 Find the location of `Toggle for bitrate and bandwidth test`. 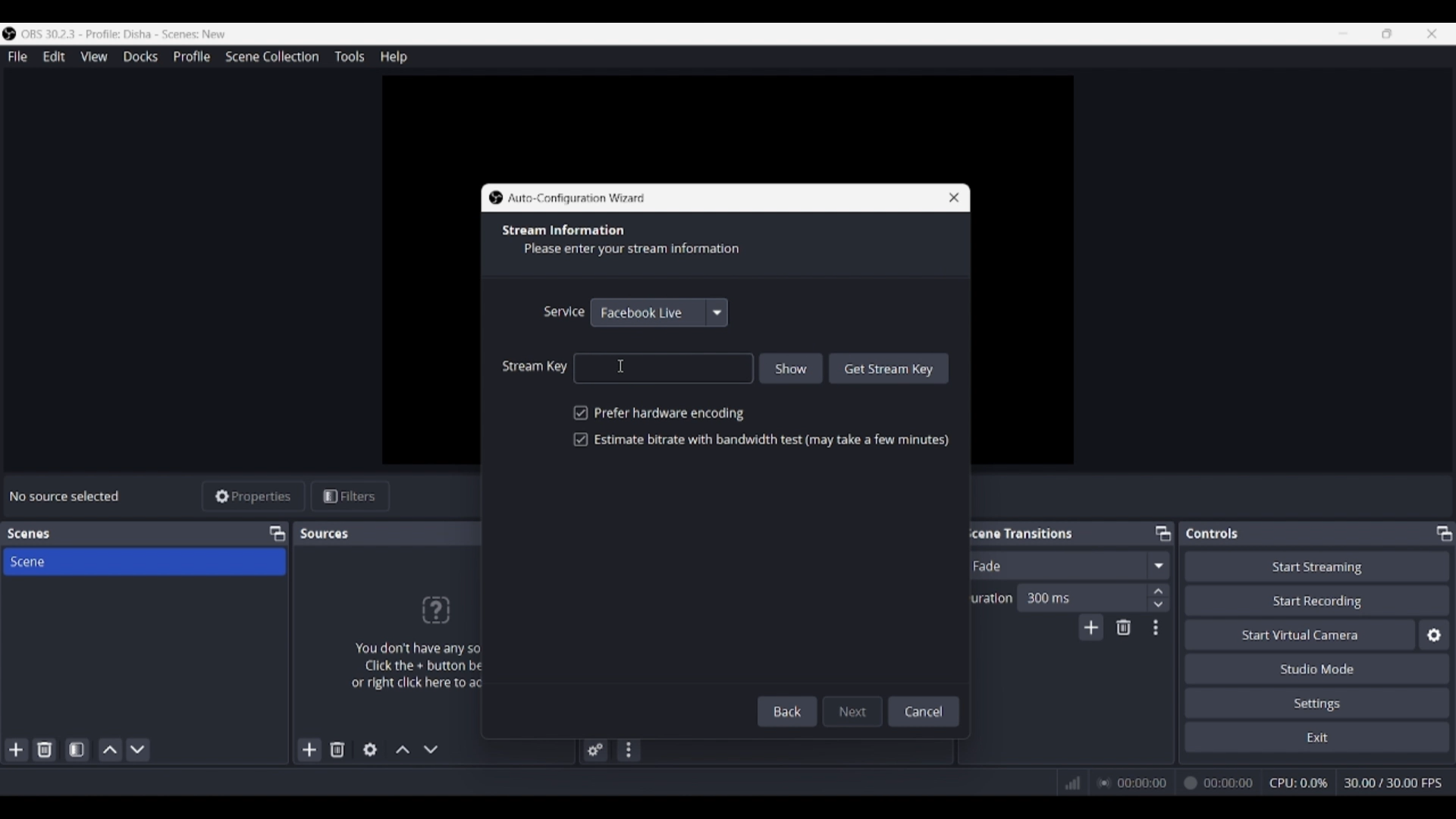

Toggle for bitrate and bandwidth test is located at coordinates (761, 439).